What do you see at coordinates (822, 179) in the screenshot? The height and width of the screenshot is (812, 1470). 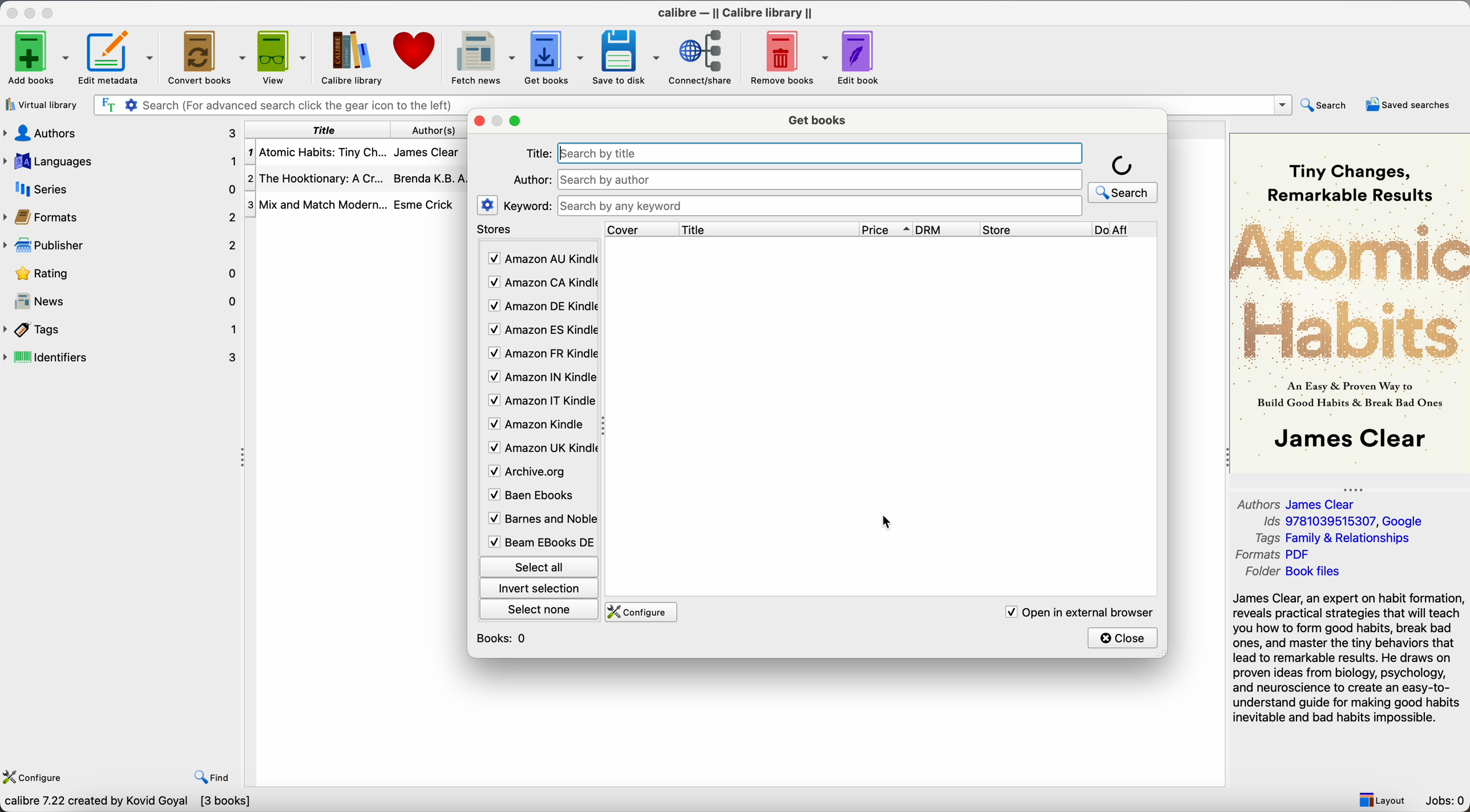 I see `search bar` at bounding box center [822, 179].